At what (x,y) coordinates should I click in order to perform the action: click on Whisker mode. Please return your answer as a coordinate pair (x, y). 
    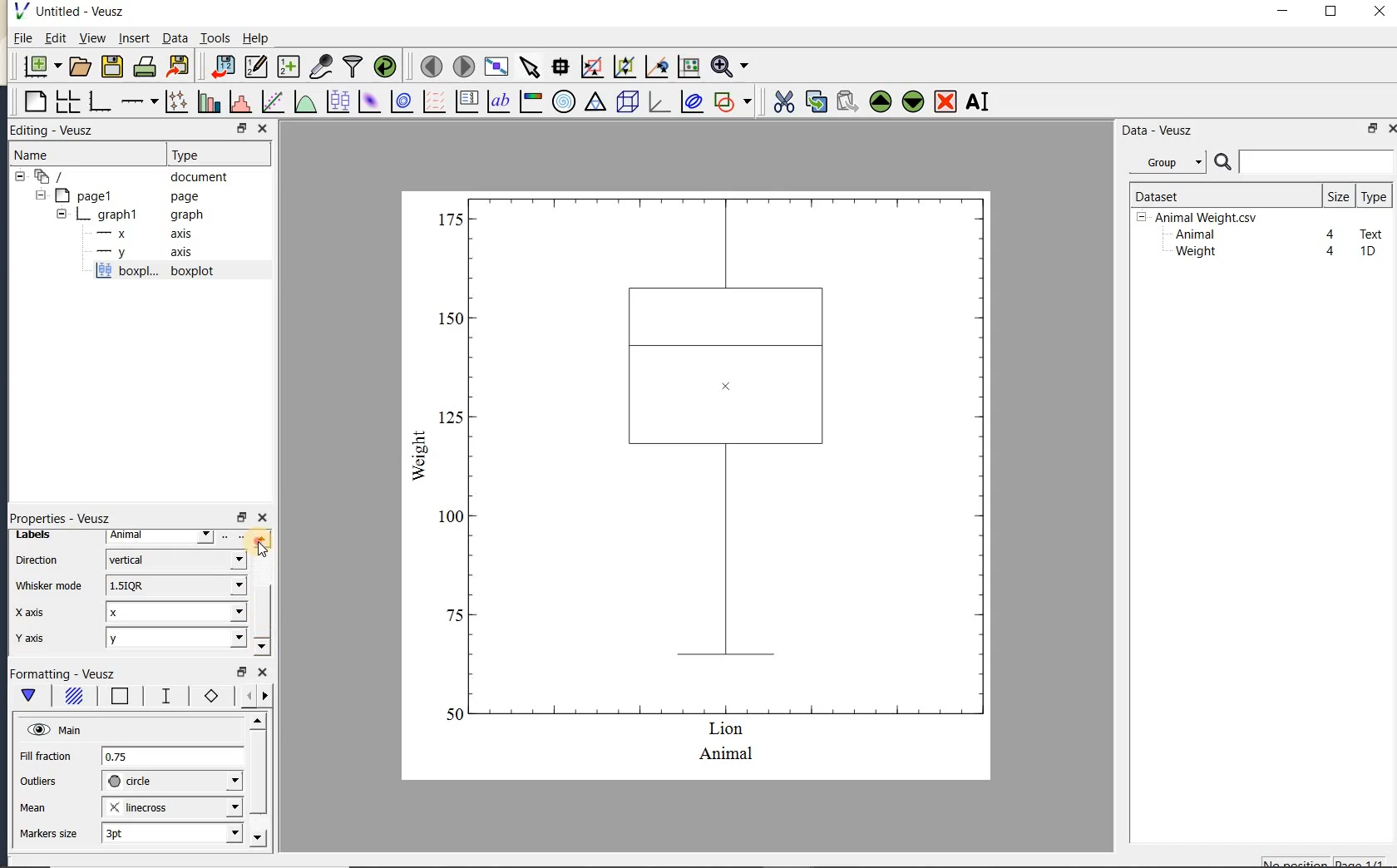
    Looking at the image, I should click on (48, 585).